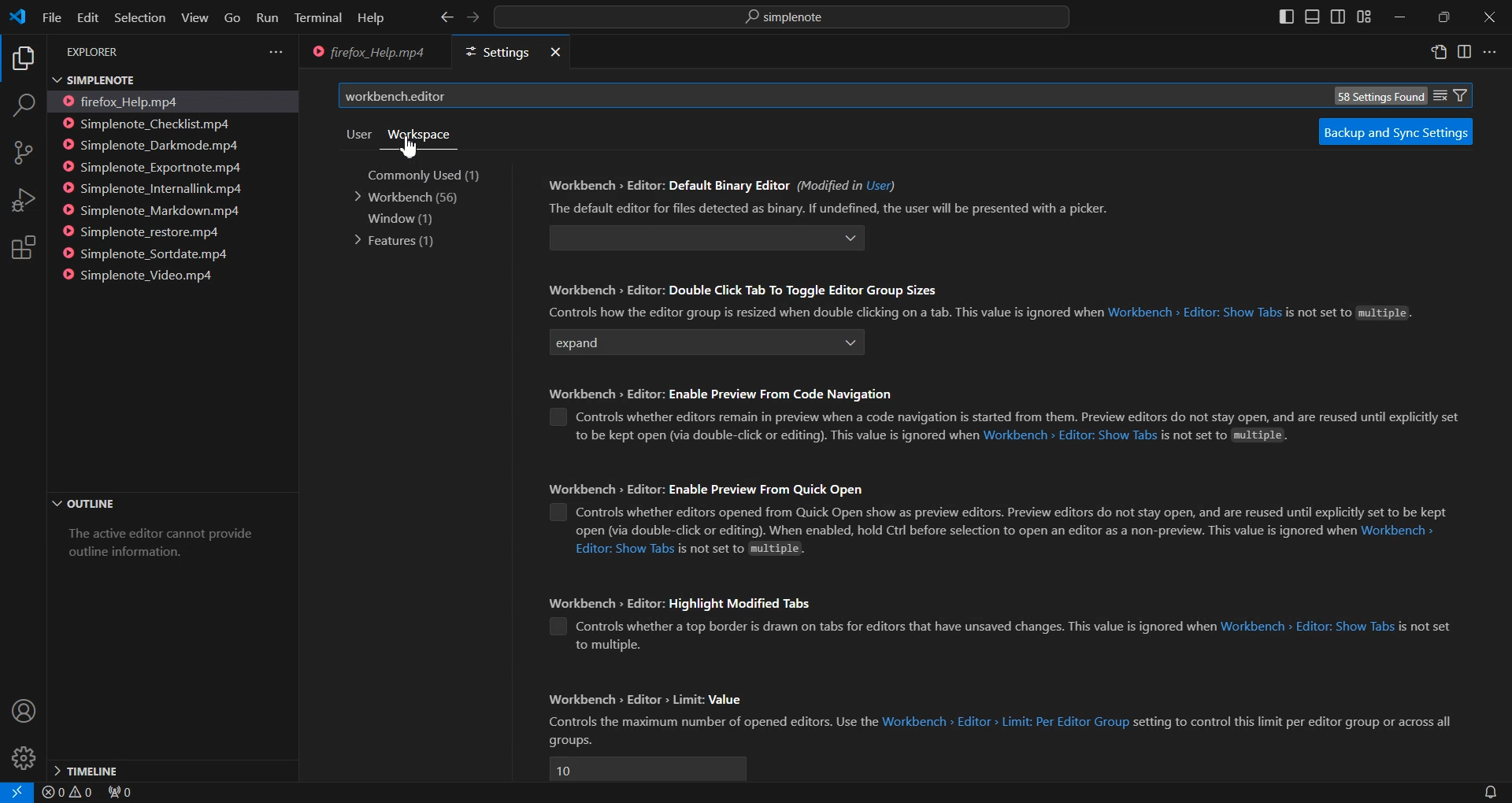 The image size is (1512, 803). What do you see at coordinates (850, 239) in the screenshot?
I see `Drop down box` at bounding box center [850, 239].